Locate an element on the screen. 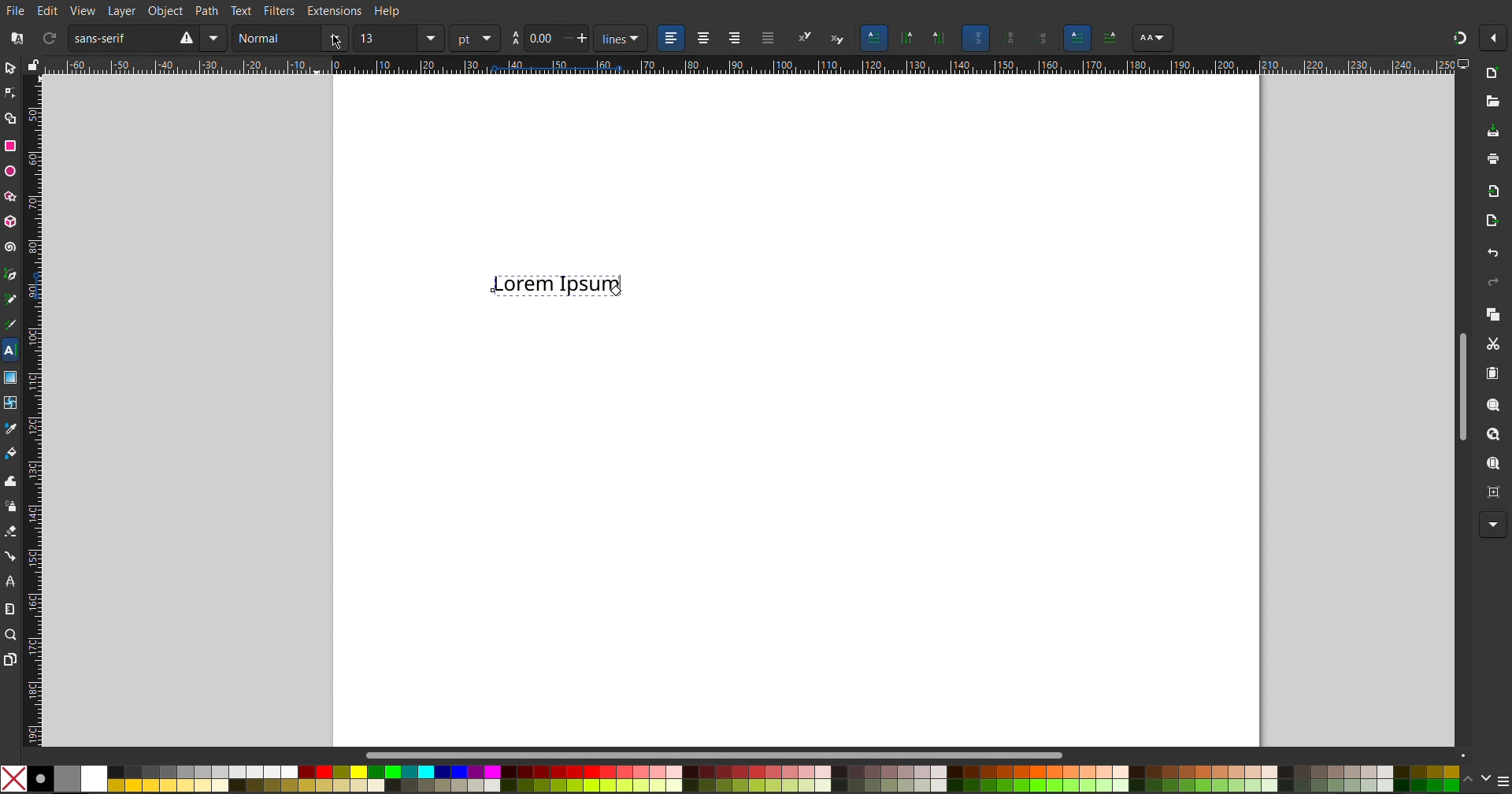 The height and width of the screenshot is (794, 1512). Horizontal Text is located at coordinates (874, 38).